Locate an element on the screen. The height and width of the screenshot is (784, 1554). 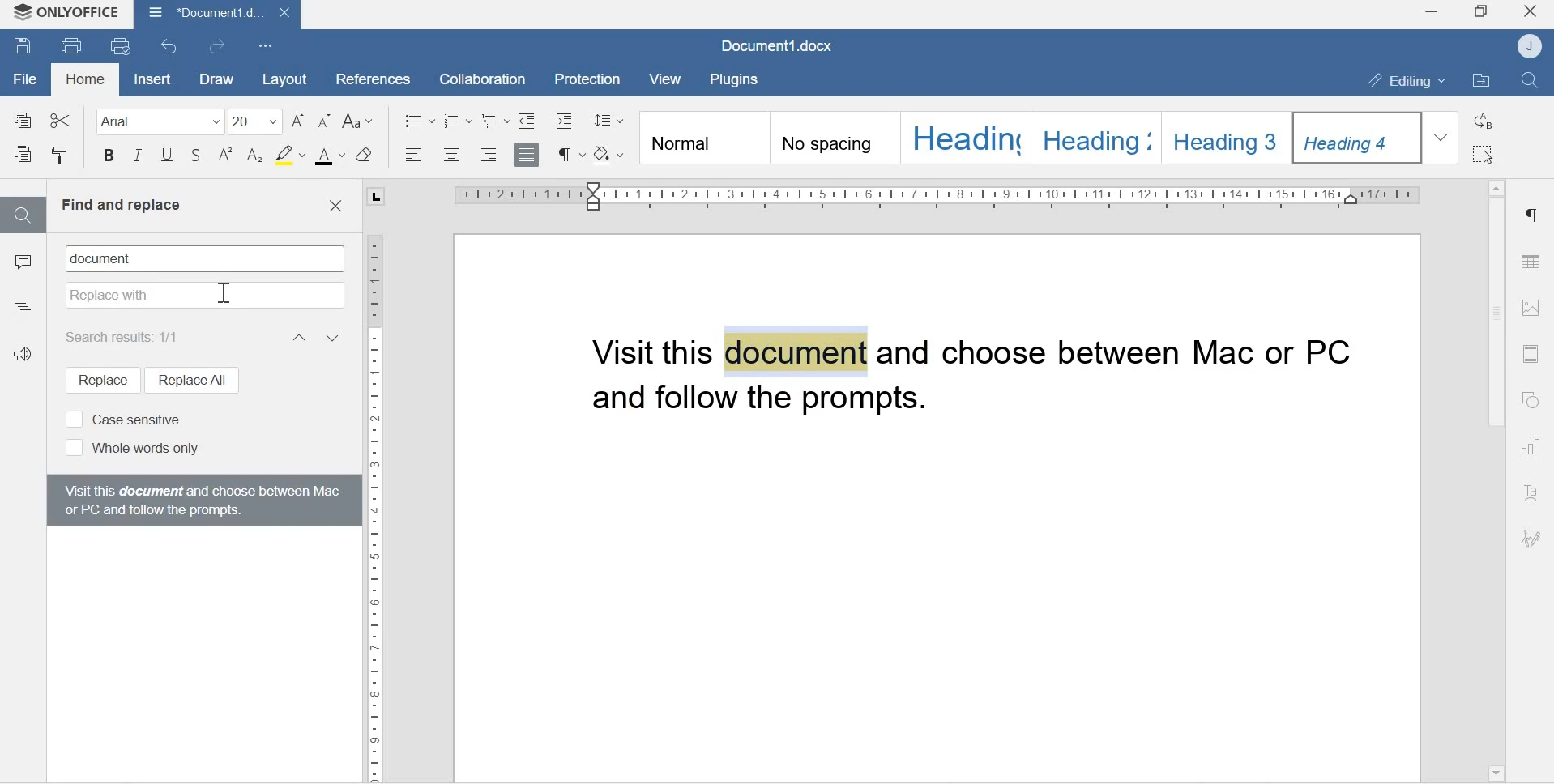
Insert is located at coordinates (150, 79).